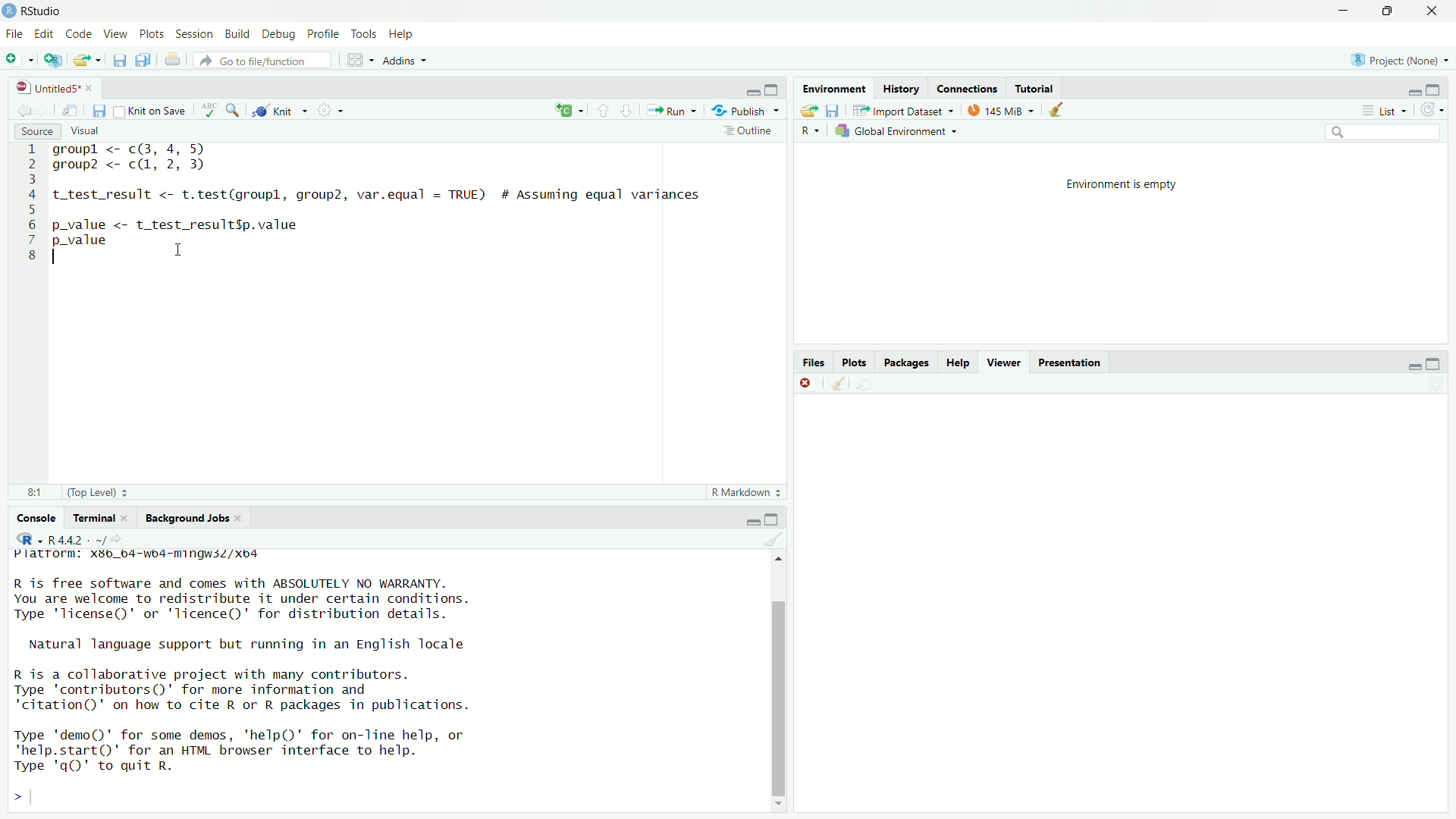  I want to click on Files, so click(814, 362).